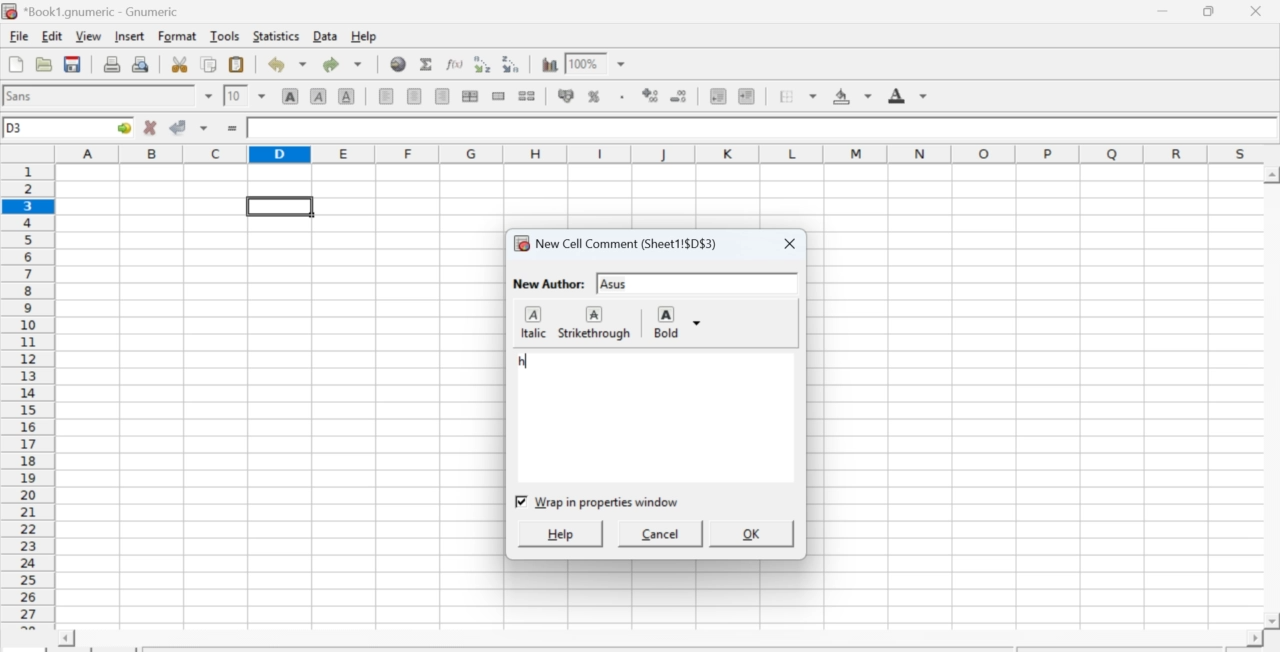 The height and width of the screenshot is (652, 1280). What do you see at coordinates (754, 534) in the screenshot?
I see `ok` at bounding box center [754, 534].